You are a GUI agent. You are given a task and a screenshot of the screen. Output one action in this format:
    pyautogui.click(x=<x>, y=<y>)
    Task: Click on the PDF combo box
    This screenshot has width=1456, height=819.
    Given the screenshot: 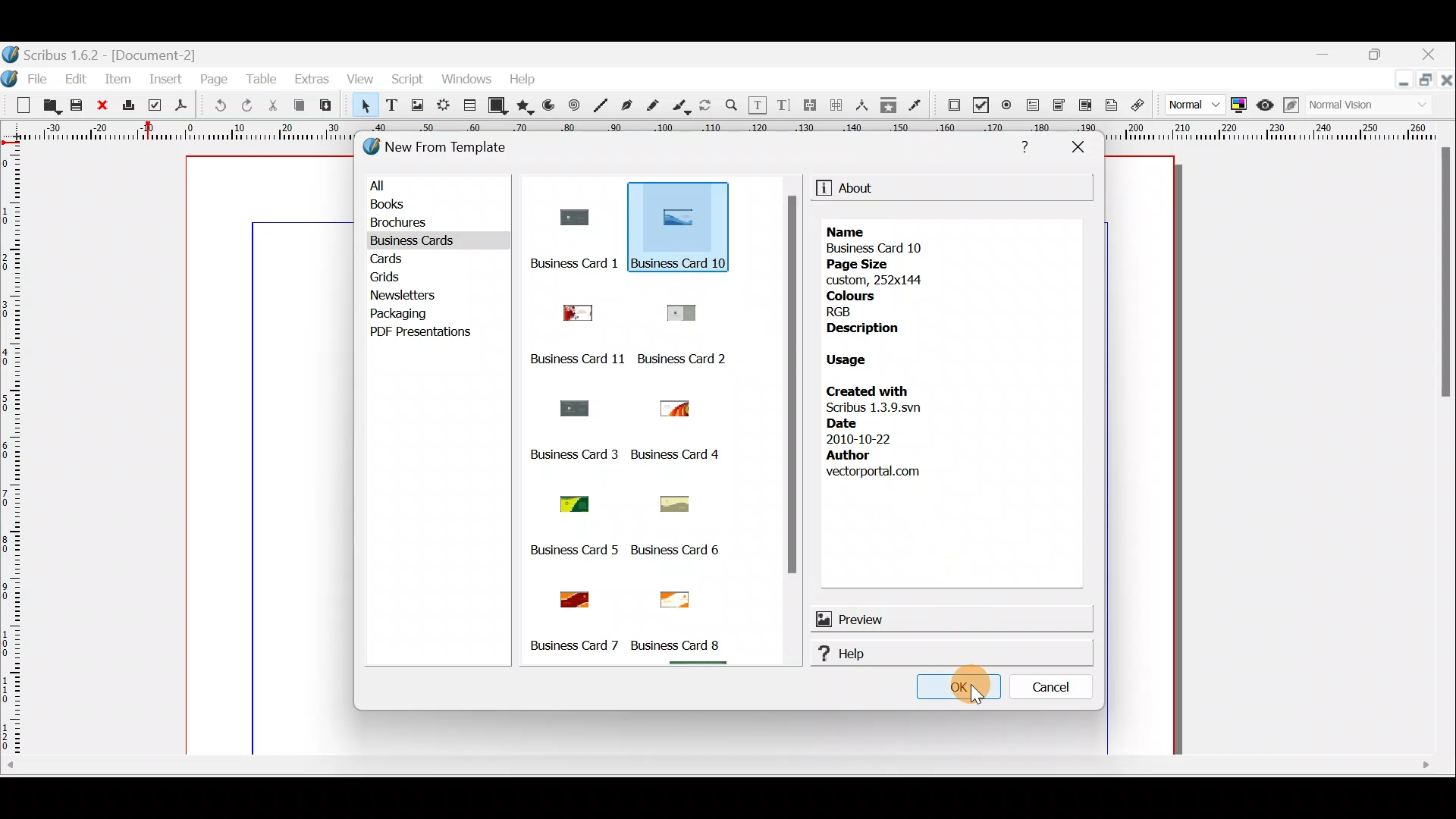 What is the action you would take?
    pyautogui.click(x=1057, y=105)
    